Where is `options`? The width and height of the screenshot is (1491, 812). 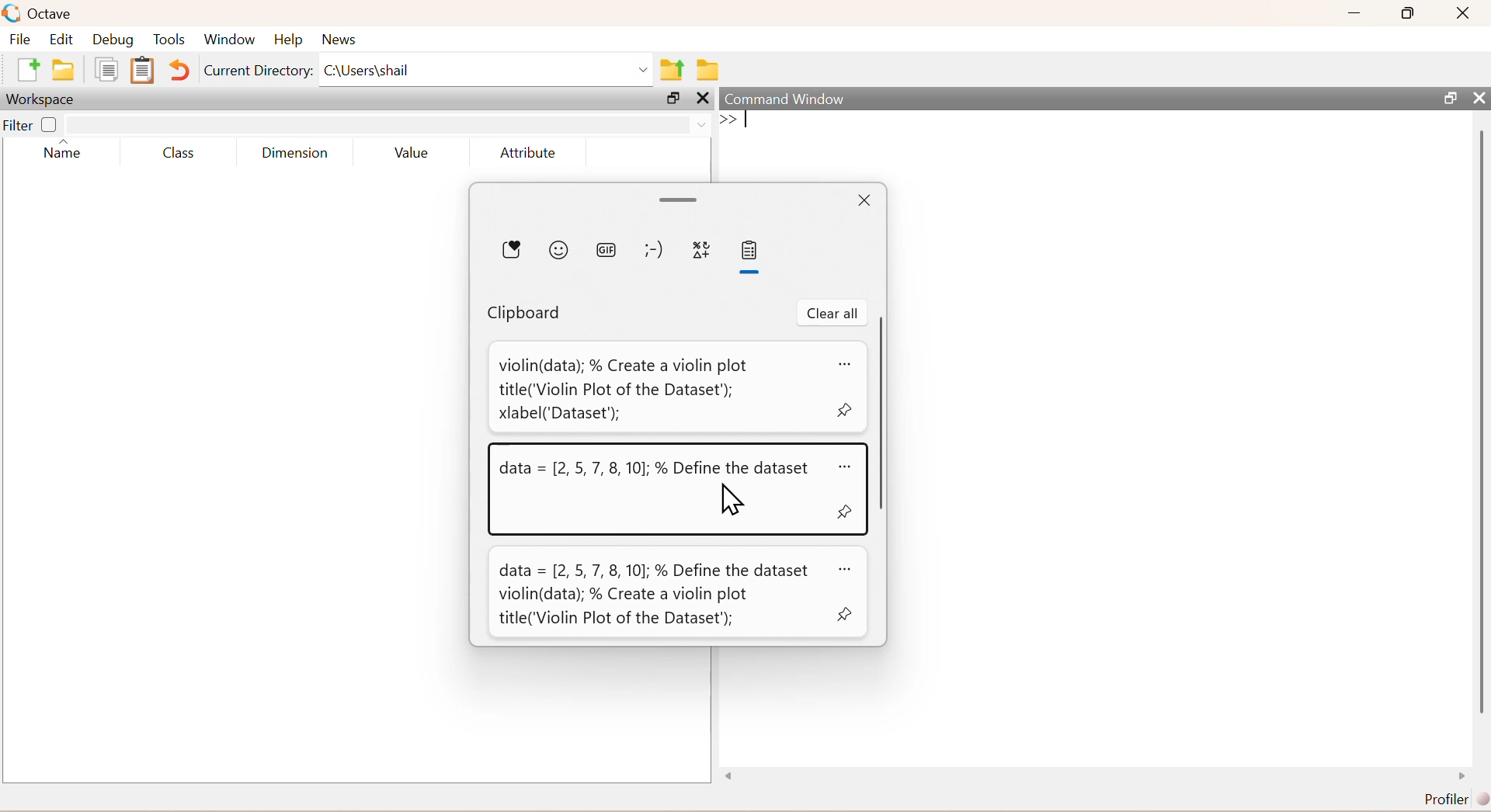 options is located at coordinates (848, 570).